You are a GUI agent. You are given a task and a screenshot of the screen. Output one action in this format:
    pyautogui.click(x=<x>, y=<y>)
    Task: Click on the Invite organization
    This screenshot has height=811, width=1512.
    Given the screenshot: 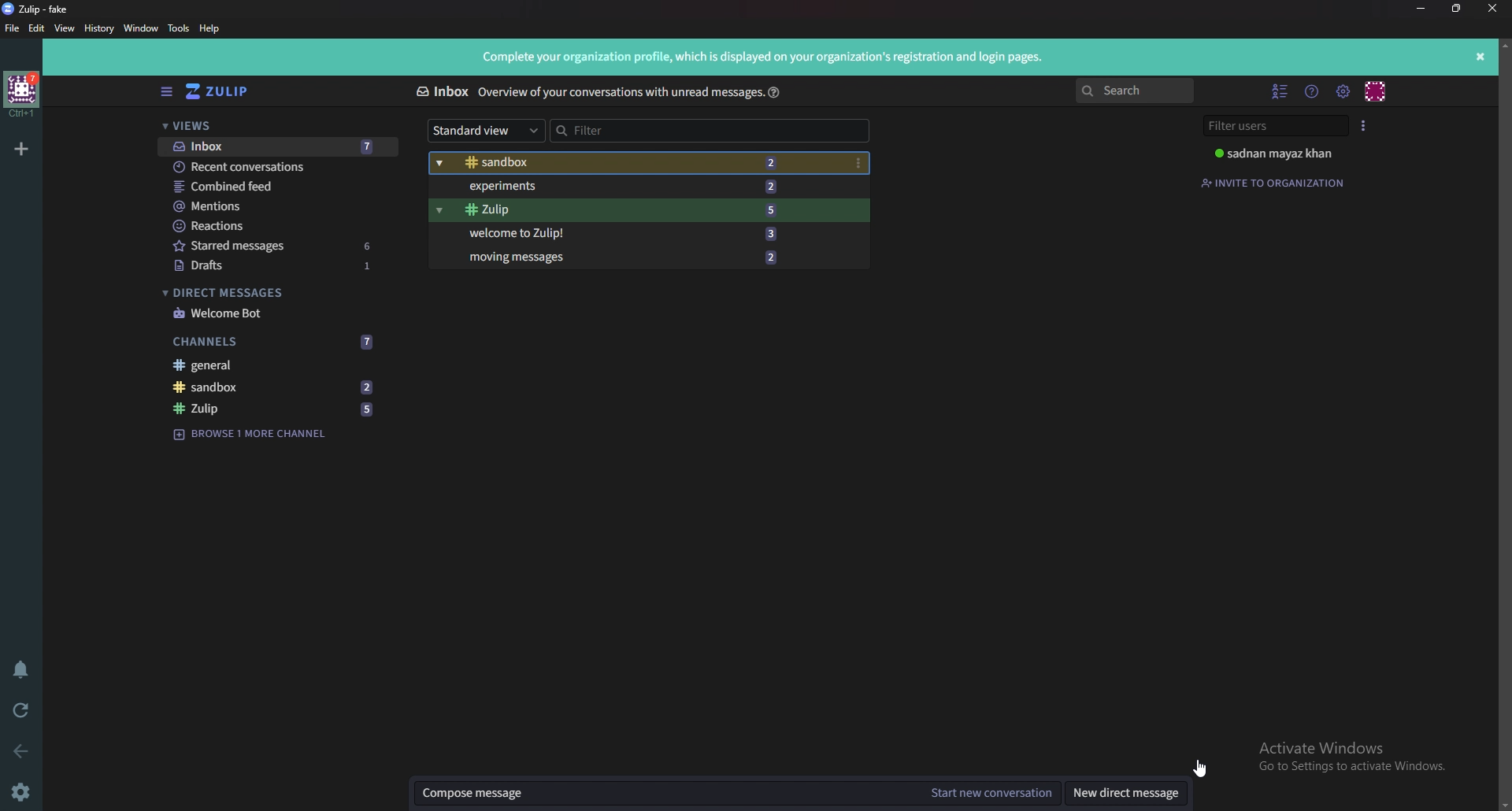 What is the action you would take?
    pyautogui.click(x=1273, y=183)
    